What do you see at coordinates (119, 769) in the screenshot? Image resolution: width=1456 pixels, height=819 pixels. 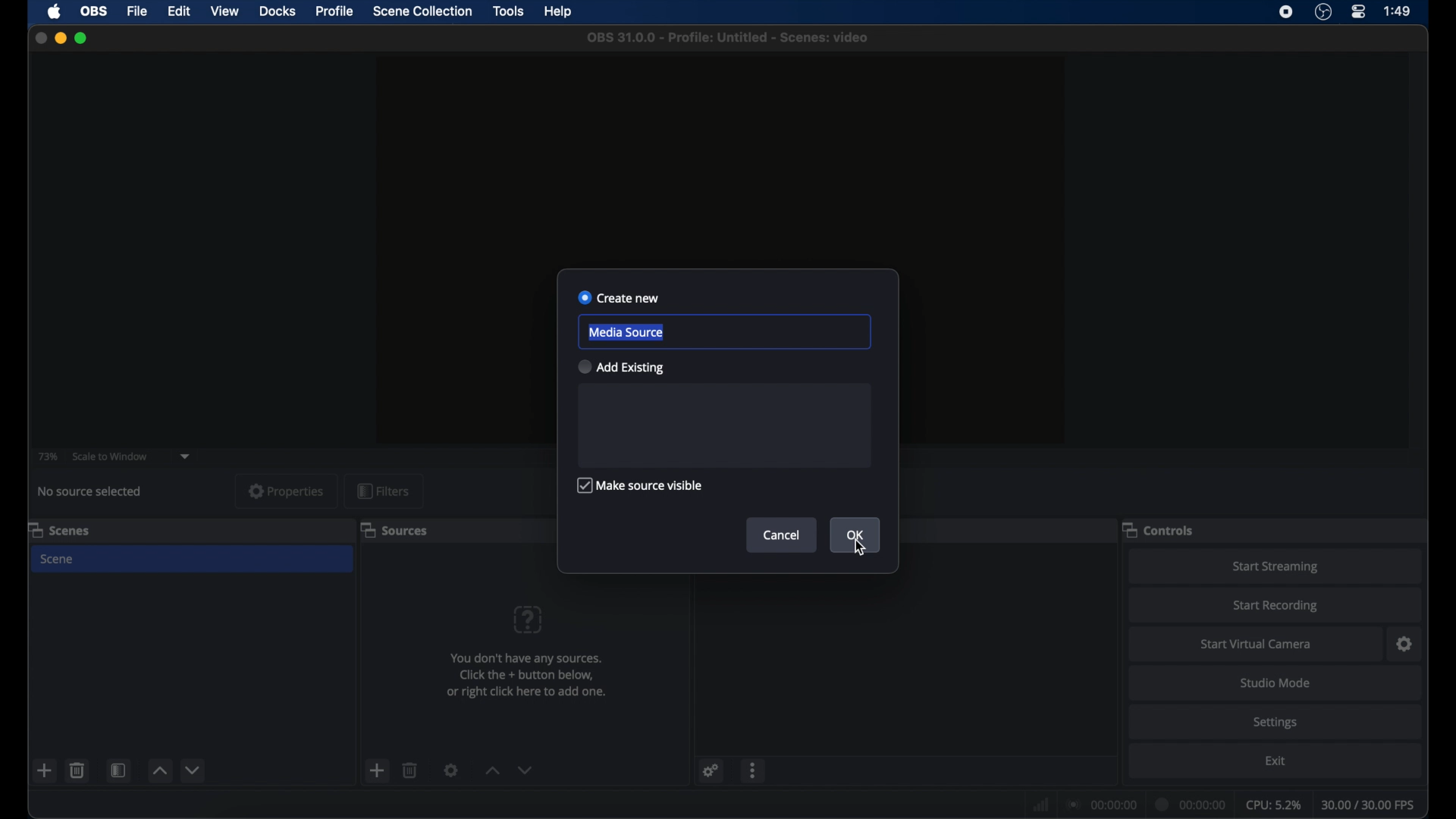 I see `scene filters` at bounding box center [119, 769].